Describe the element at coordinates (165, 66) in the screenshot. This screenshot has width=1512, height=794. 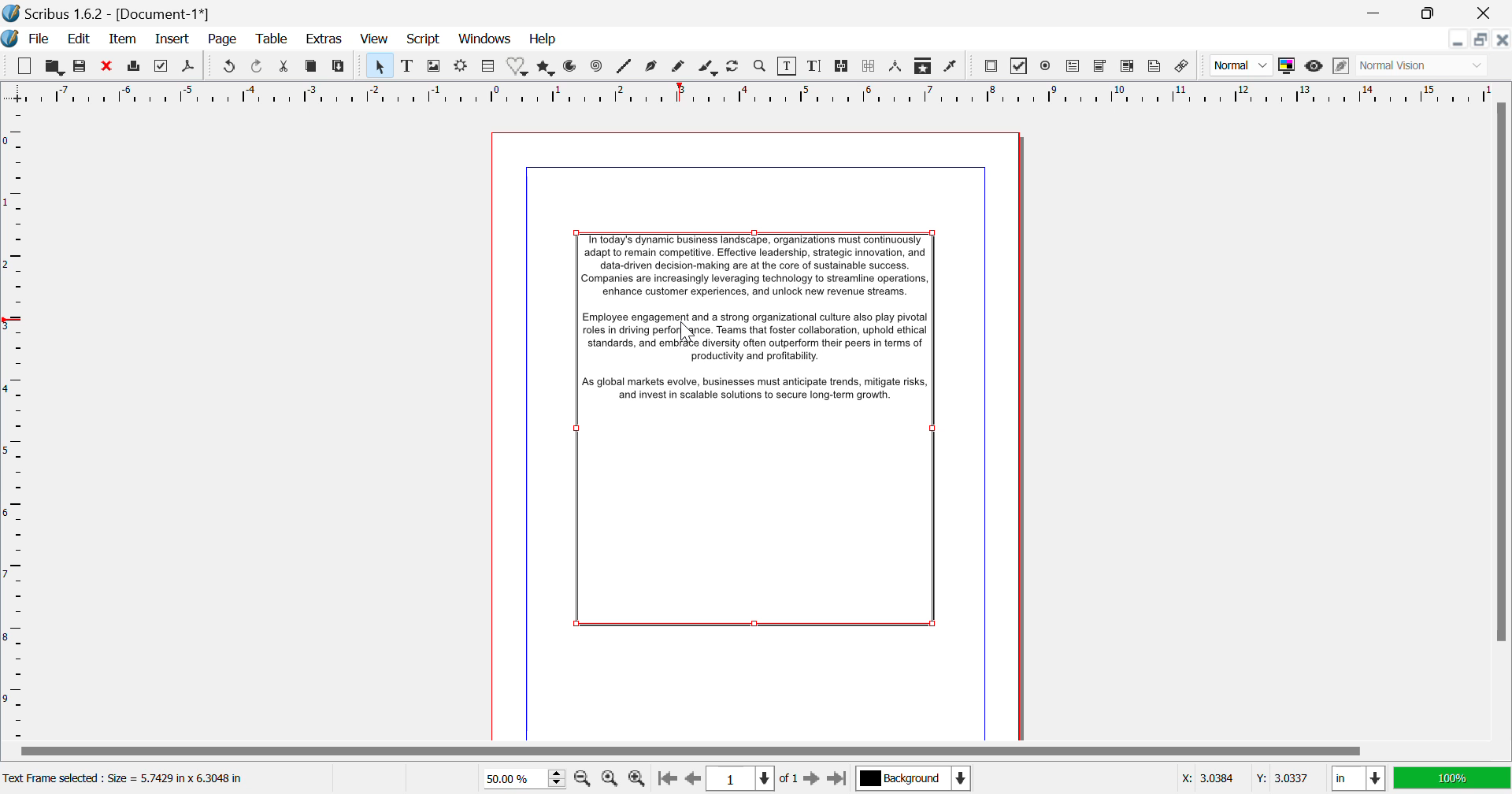
I see `Preflight Verifier` at that location.